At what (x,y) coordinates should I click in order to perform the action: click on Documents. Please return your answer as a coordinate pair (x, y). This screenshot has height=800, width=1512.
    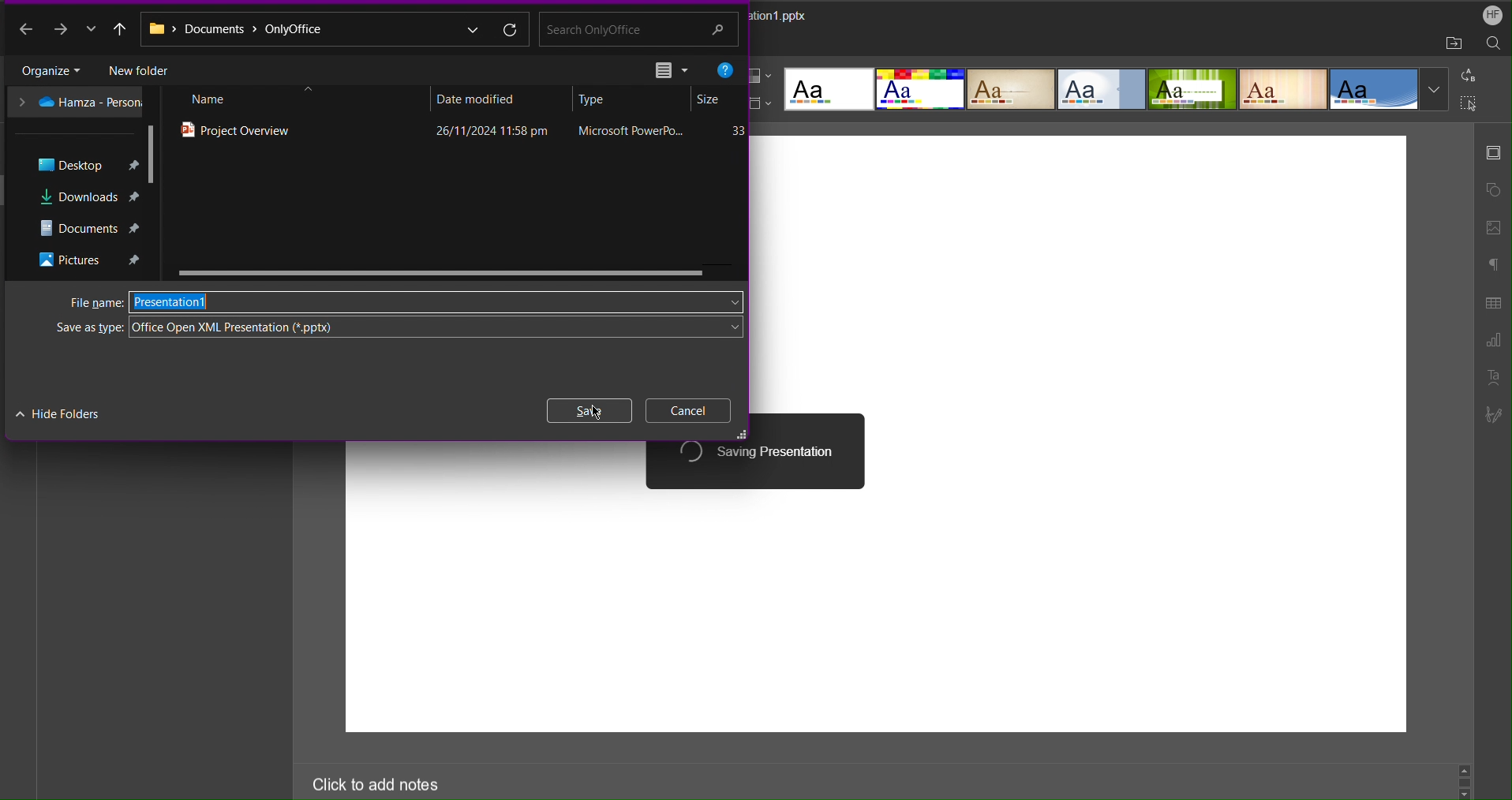
    Looking at the image, I should click on (89, 228).